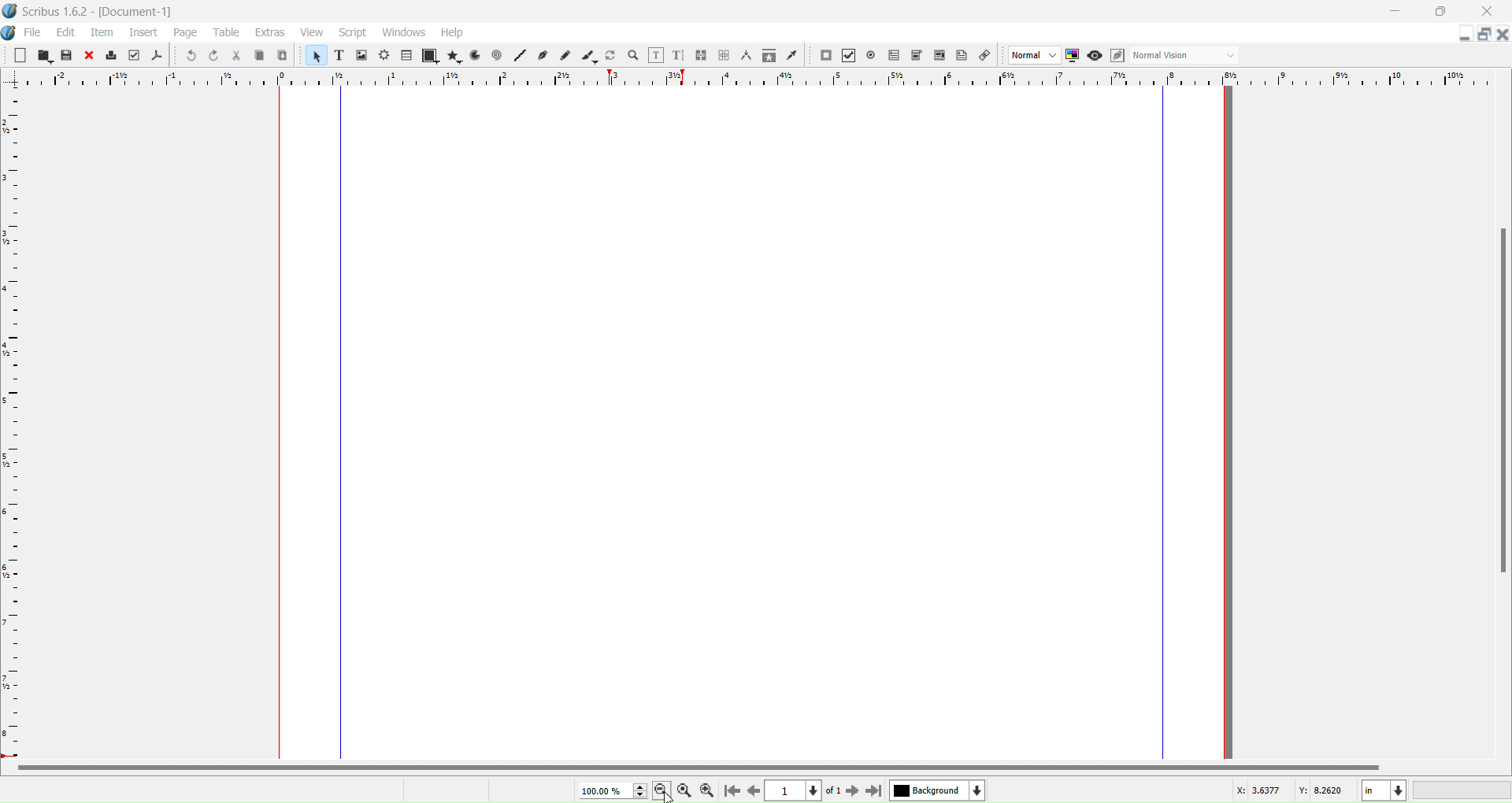 The image size is (1512, 803). Describe the element at coordinates (874, 792) in the screenshot. I see `Go to last page` at that location.